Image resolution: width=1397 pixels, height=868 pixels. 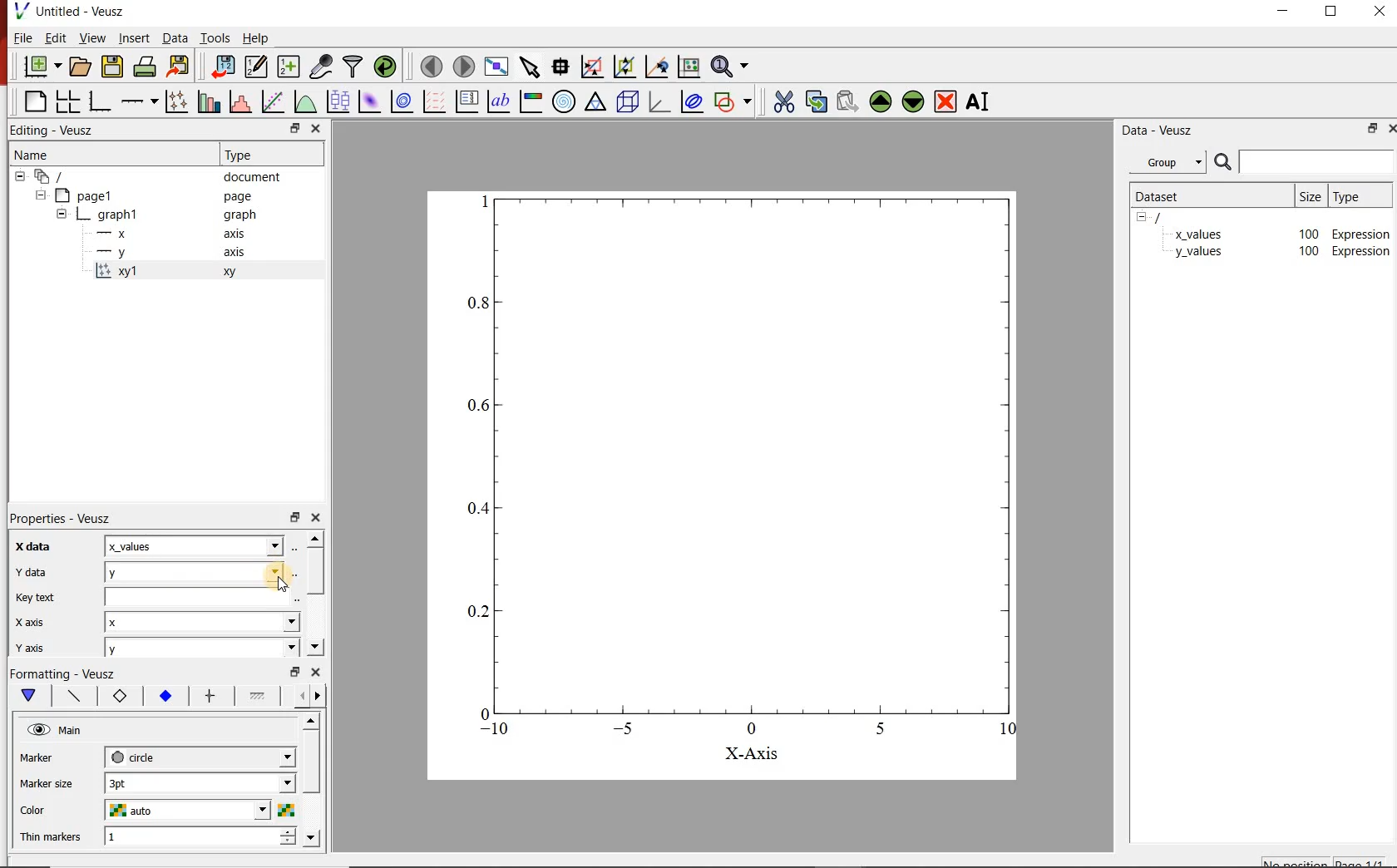 I want to click on | X axis, so click(x=37, y=622).